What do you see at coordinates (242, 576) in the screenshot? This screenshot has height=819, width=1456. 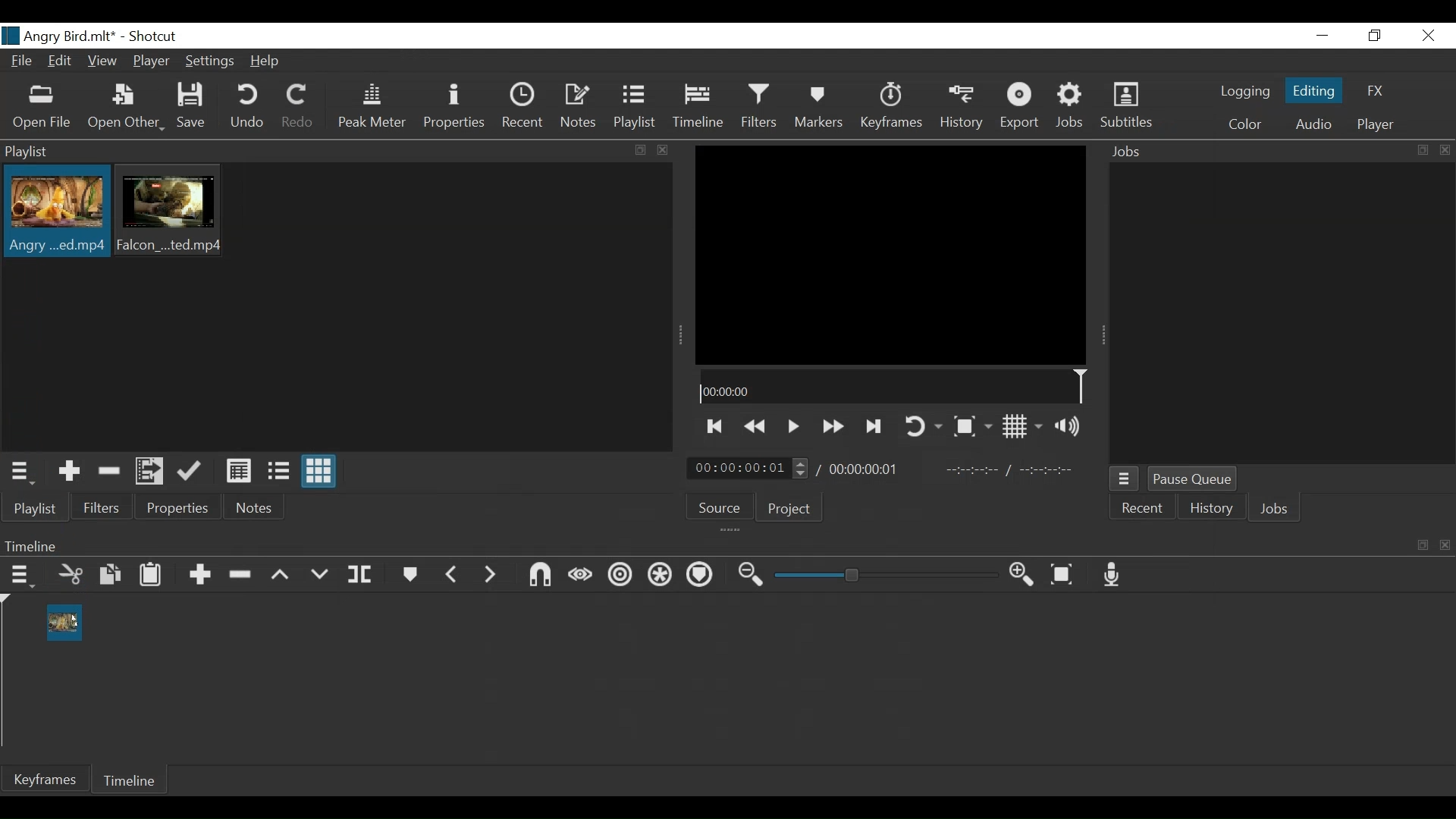 I see `Ripple delete` at bounding box center [242, 576].